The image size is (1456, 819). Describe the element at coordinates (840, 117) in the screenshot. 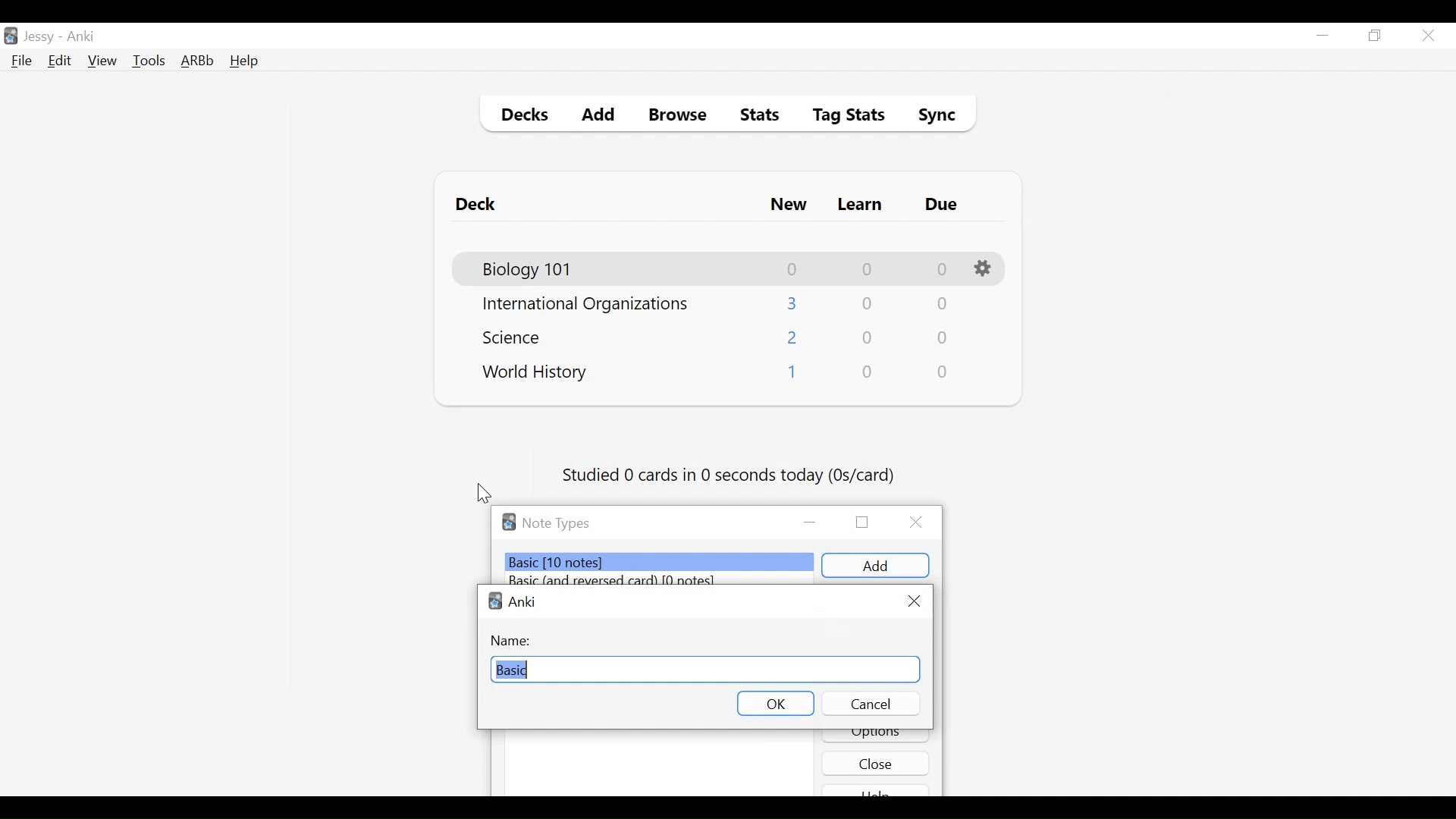

I see `Tag Stats` at that location.